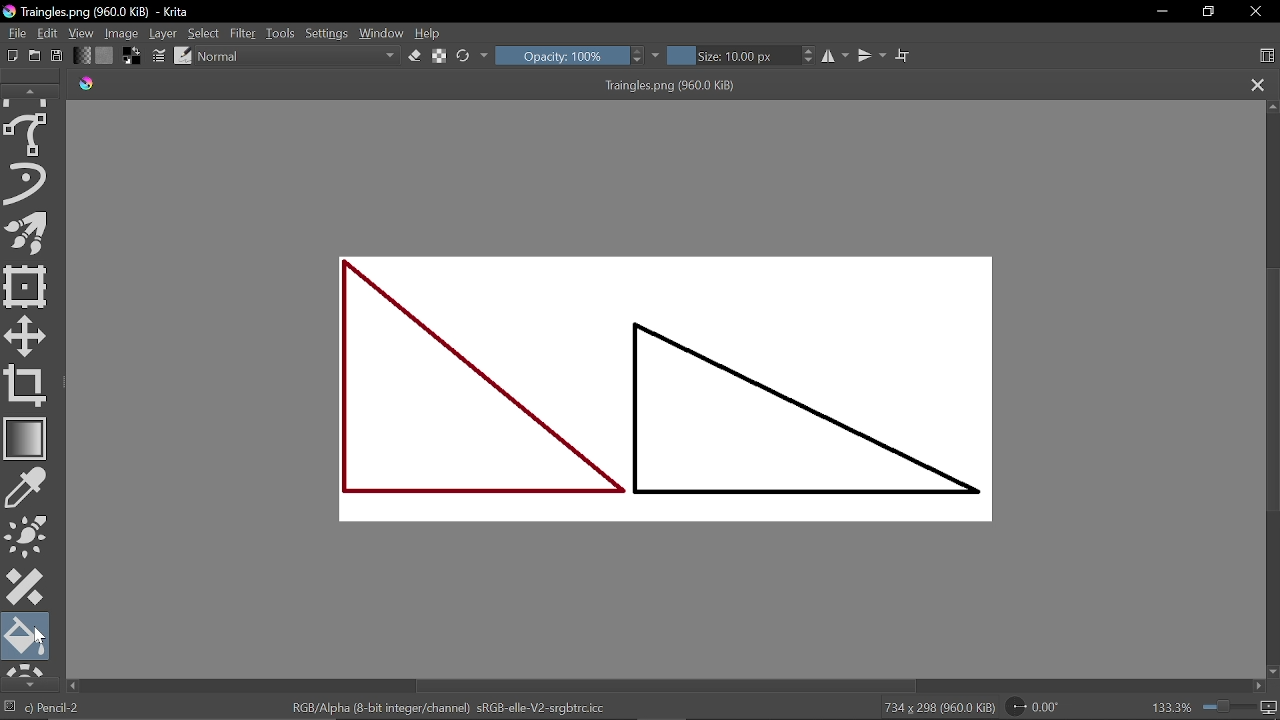 This screenshot has height=720, width=1280. I want to click on No selection, so click(10, 707).